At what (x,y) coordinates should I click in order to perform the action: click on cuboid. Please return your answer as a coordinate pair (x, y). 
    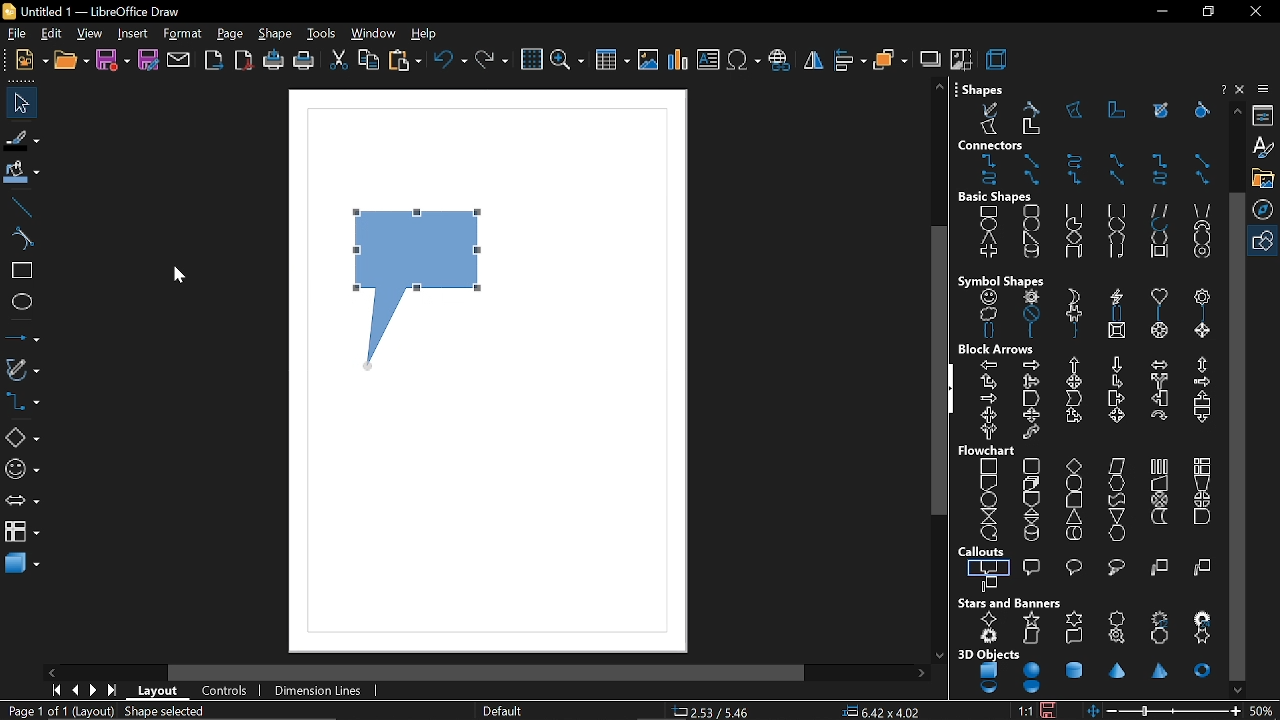
    Looking at the image, I should click on (1073, 254).